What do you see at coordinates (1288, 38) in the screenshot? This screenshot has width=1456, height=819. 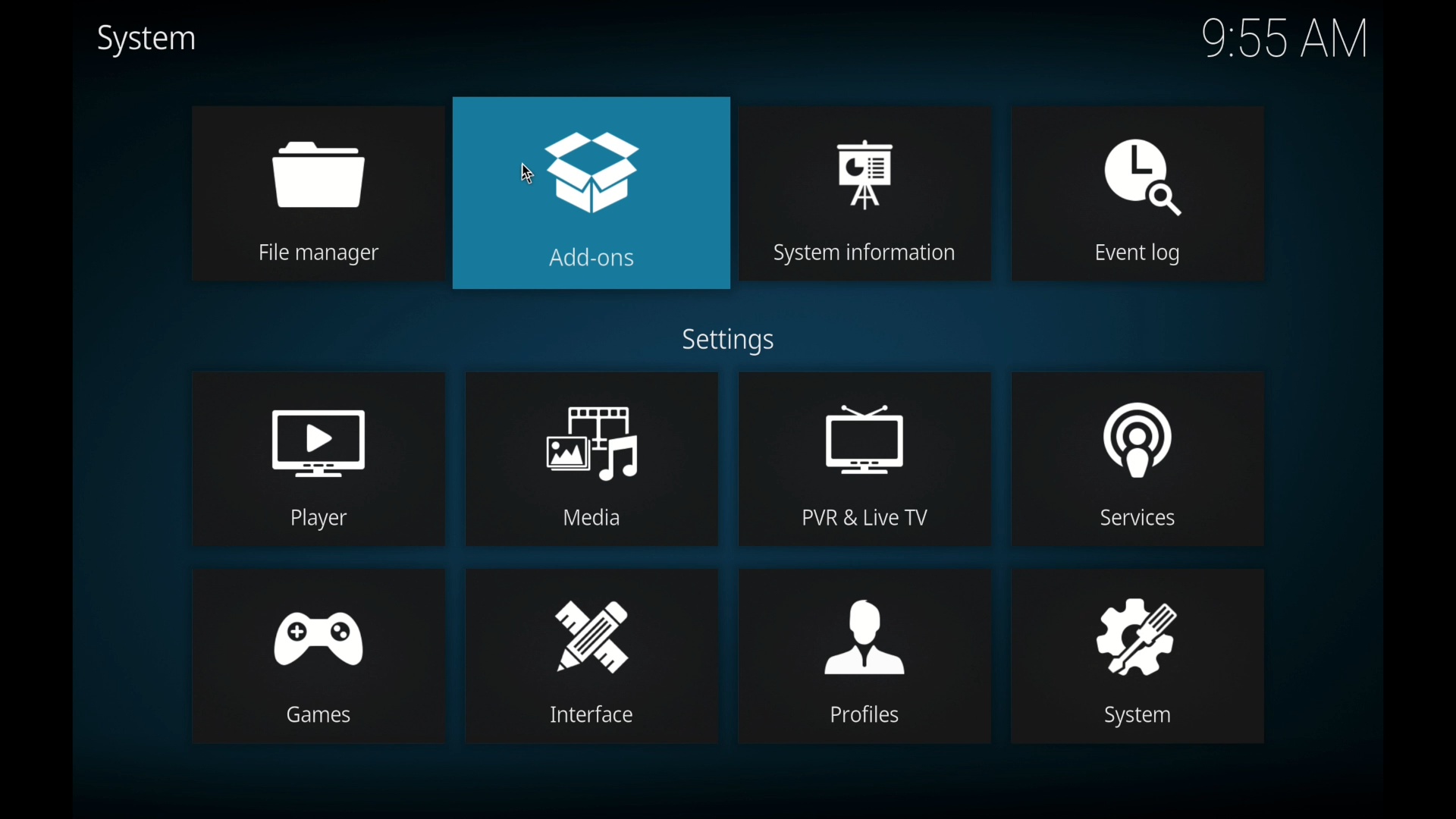 I see `time` at bounding box center [1288, 38].